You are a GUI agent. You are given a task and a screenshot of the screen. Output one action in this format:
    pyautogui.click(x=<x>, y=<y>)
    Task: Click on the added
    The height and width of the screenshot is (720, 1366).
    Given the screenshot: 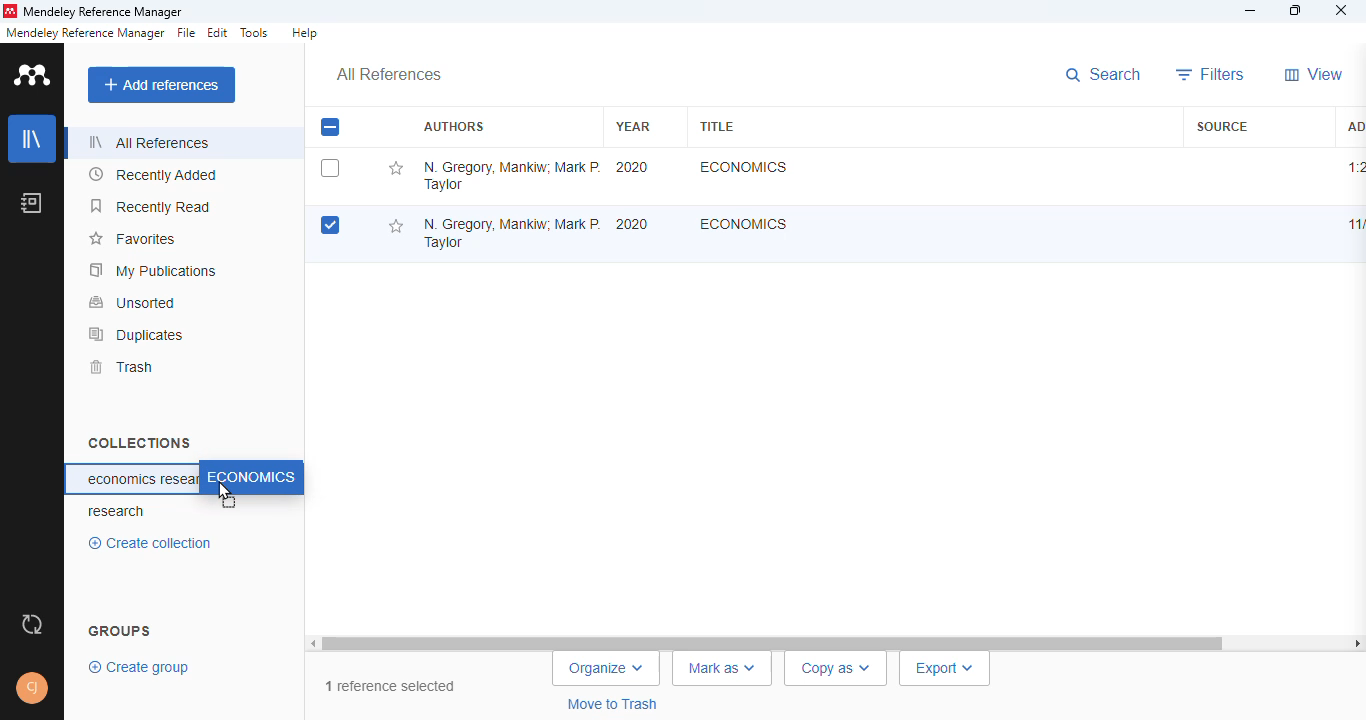 What is the action you would take?
    pyautogui.click(x=1353, y=125)
    